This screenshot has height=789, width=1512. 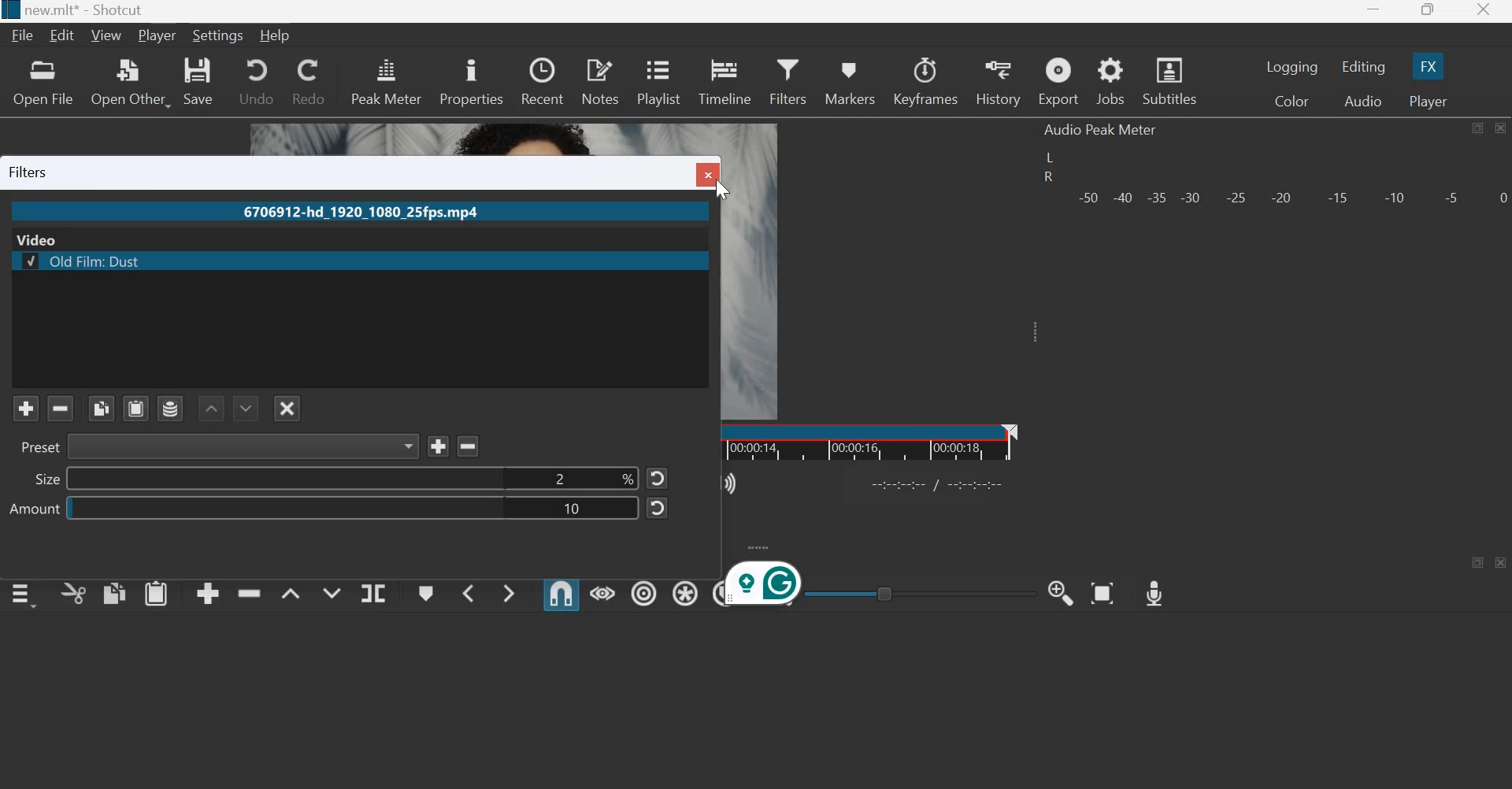 I want to click on Audio, so click(x=1363, y=102).